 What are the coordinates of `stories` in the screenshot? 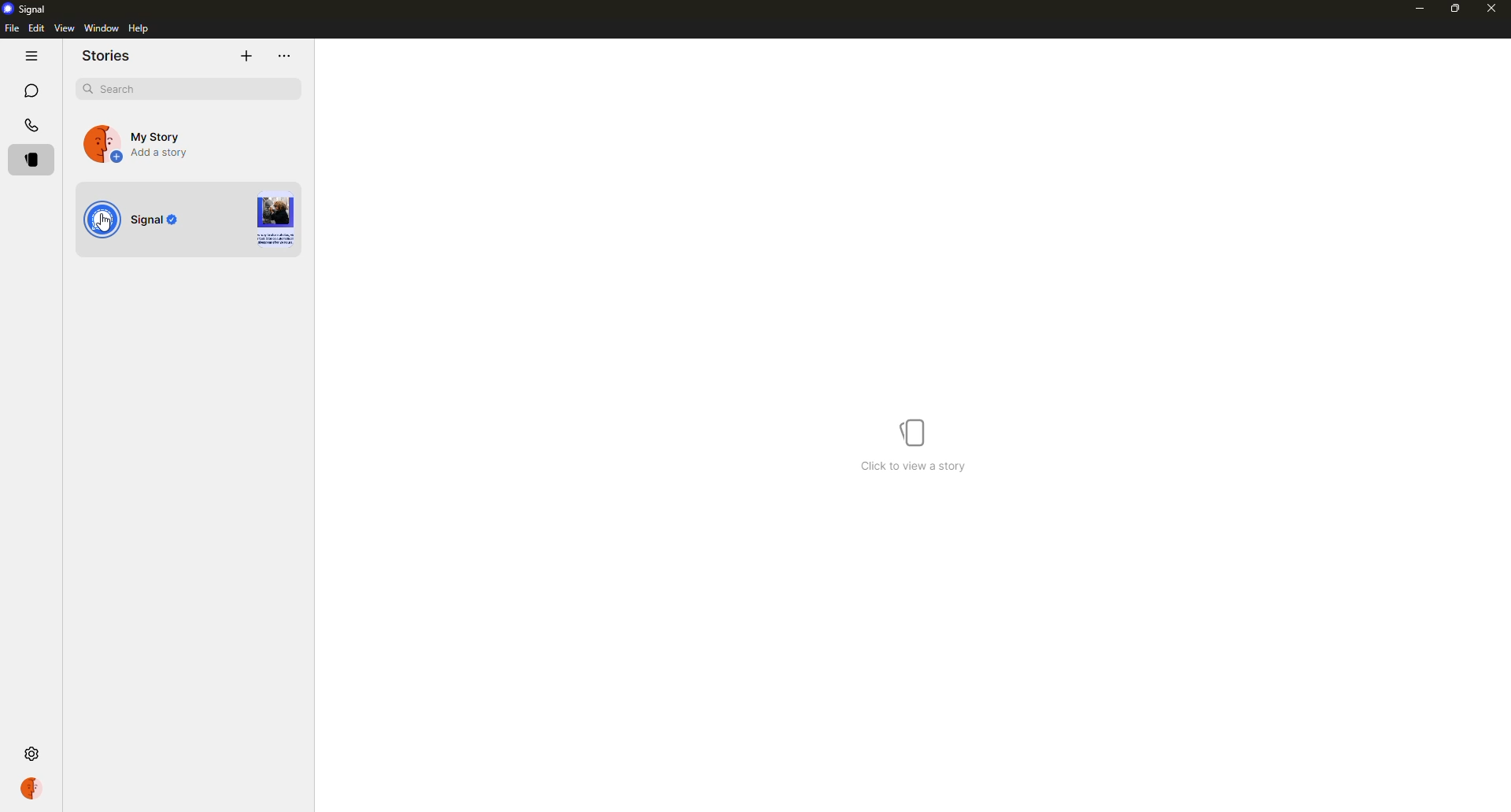 It's located at (35, 160).